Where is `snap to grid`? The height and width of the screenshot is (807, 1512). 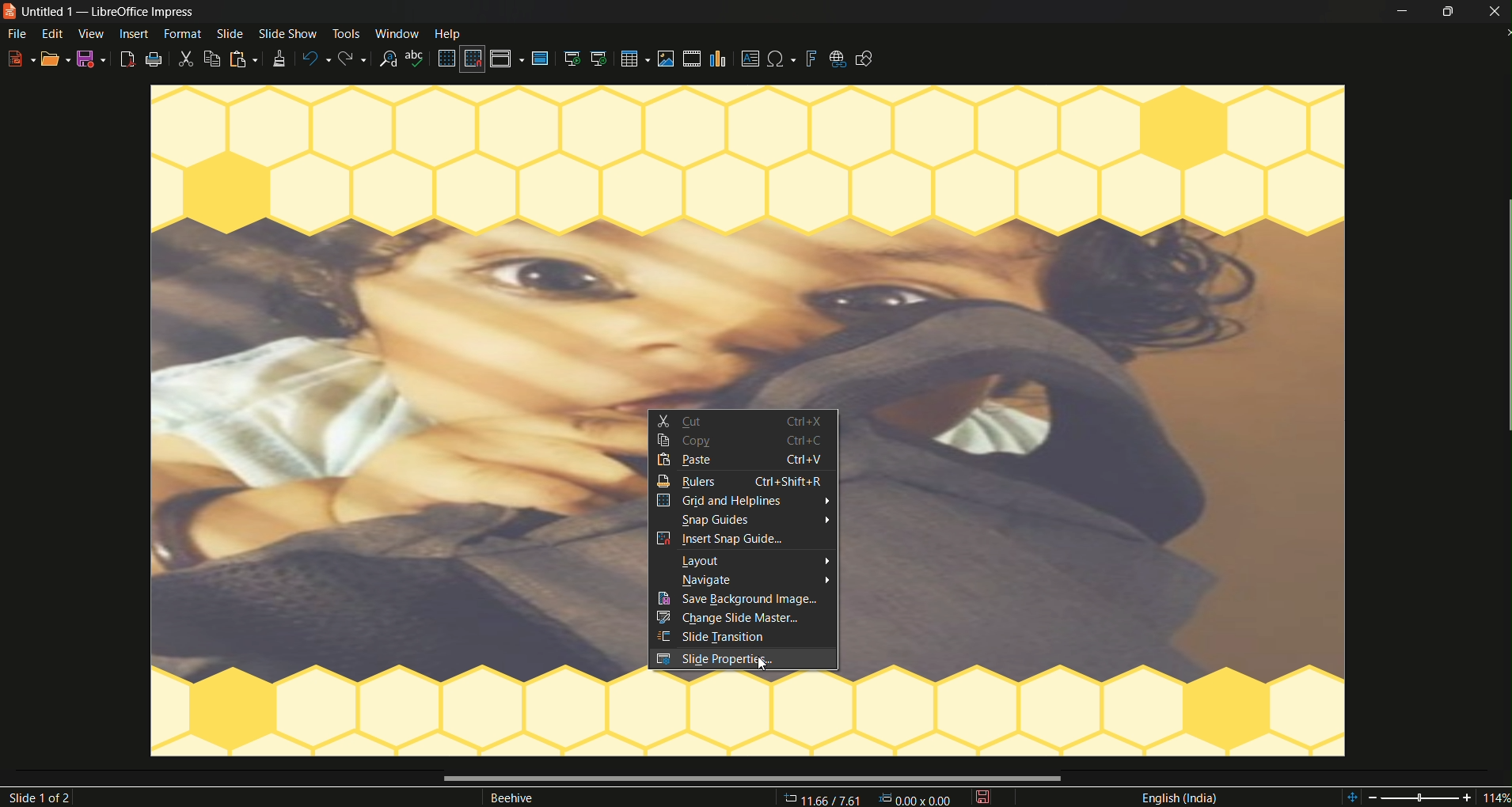 snap to grid is located at coordinates (471, 60).